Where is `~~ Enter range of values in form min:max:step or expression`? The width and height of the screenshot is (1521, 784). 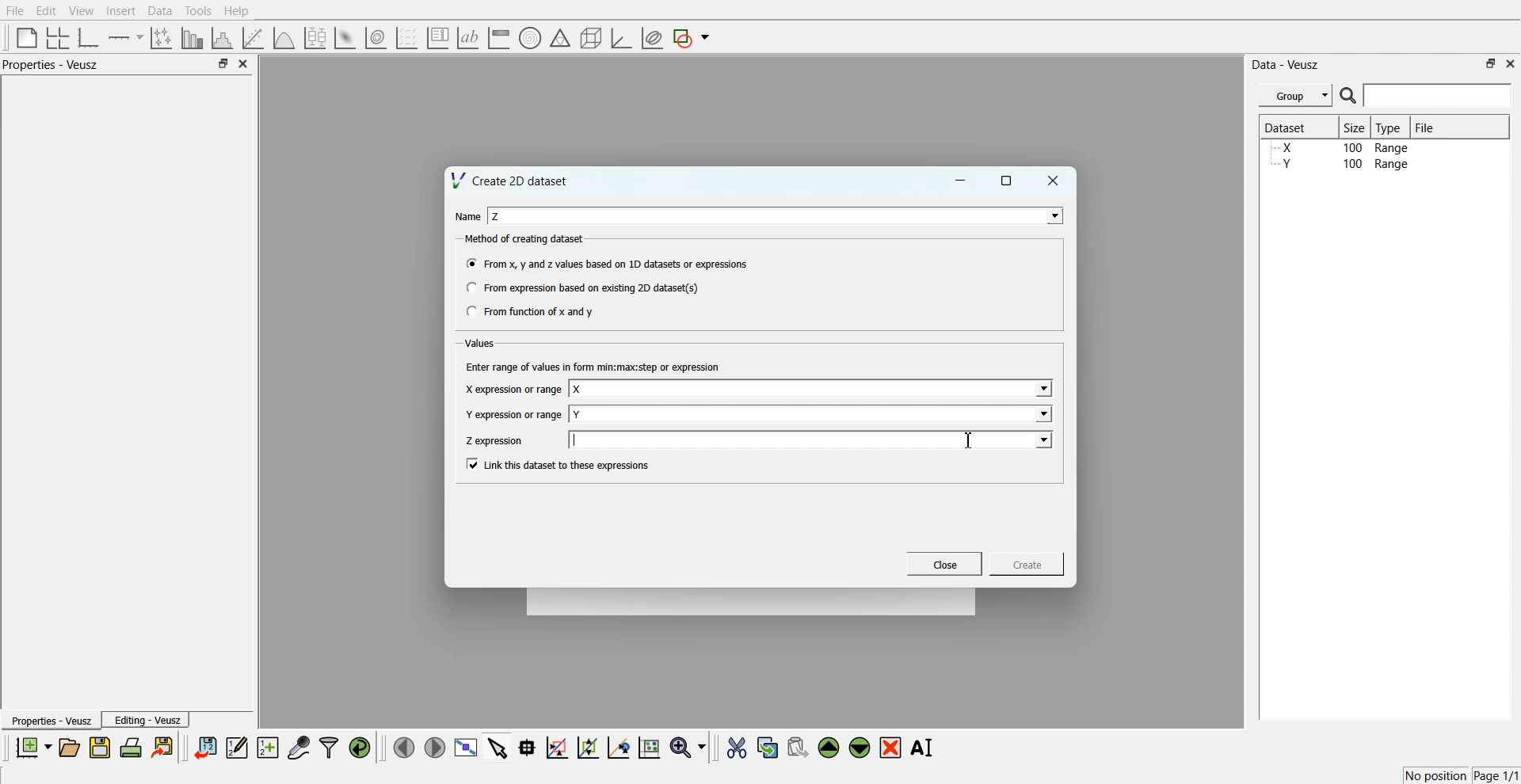 ~~ Enter range of values in form min:max:step or expression is located at coordinates (593, 366).